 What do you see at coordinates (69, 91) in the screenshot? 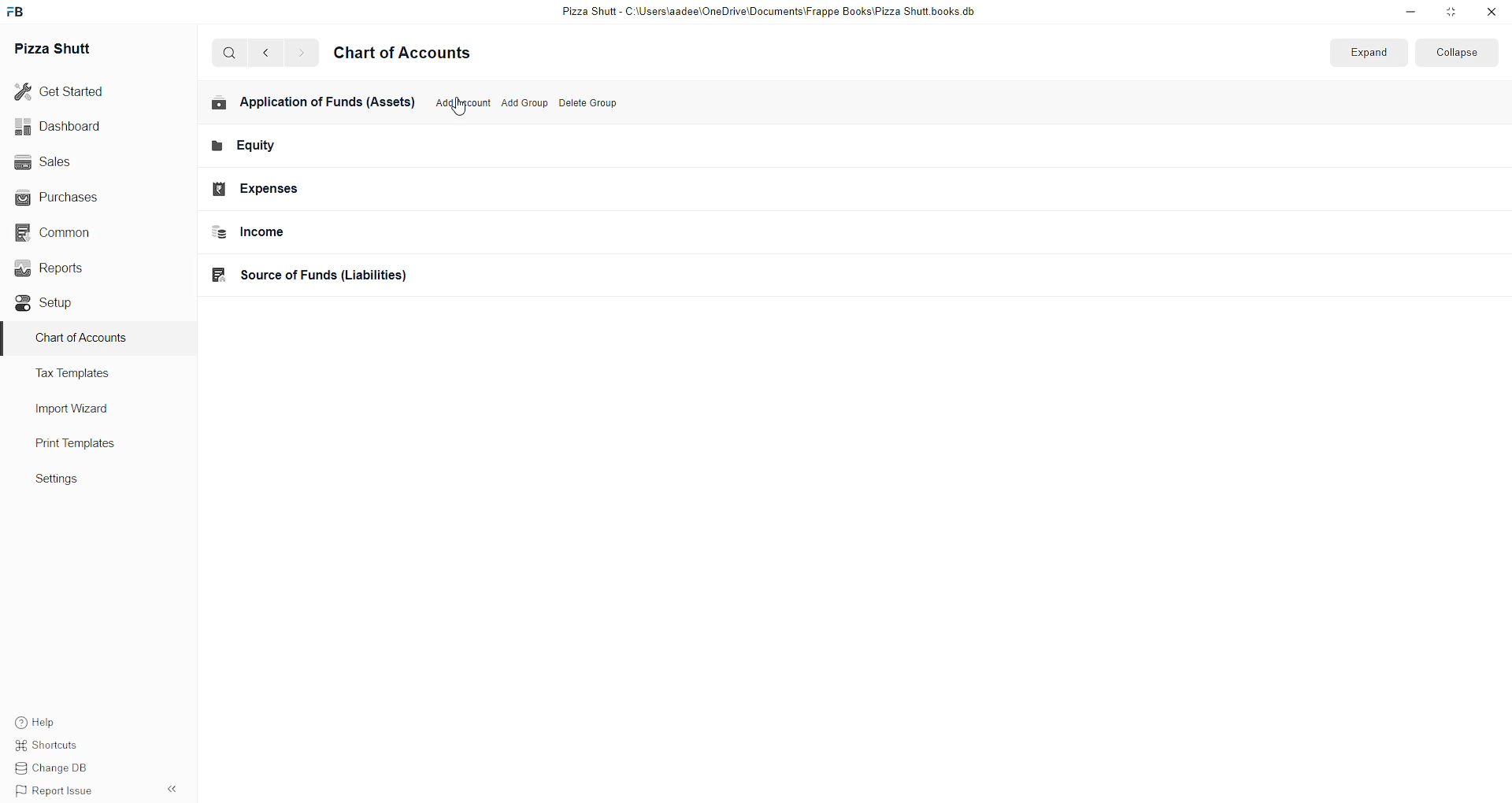
I see `Get started ` at bounding box center [69, 91].